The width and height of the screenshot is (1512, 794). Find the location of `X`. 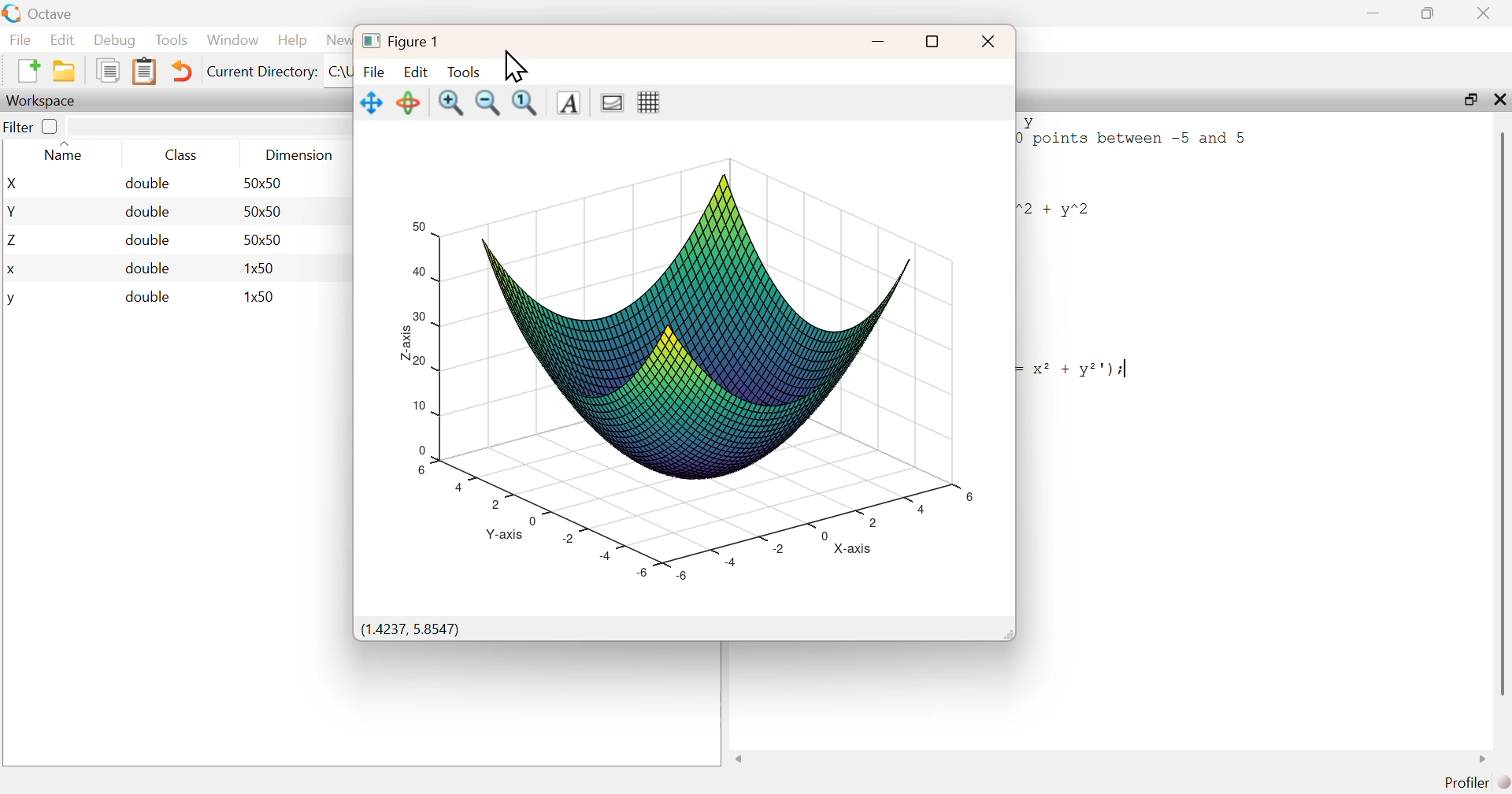

X is located at coordinates (15, 184).